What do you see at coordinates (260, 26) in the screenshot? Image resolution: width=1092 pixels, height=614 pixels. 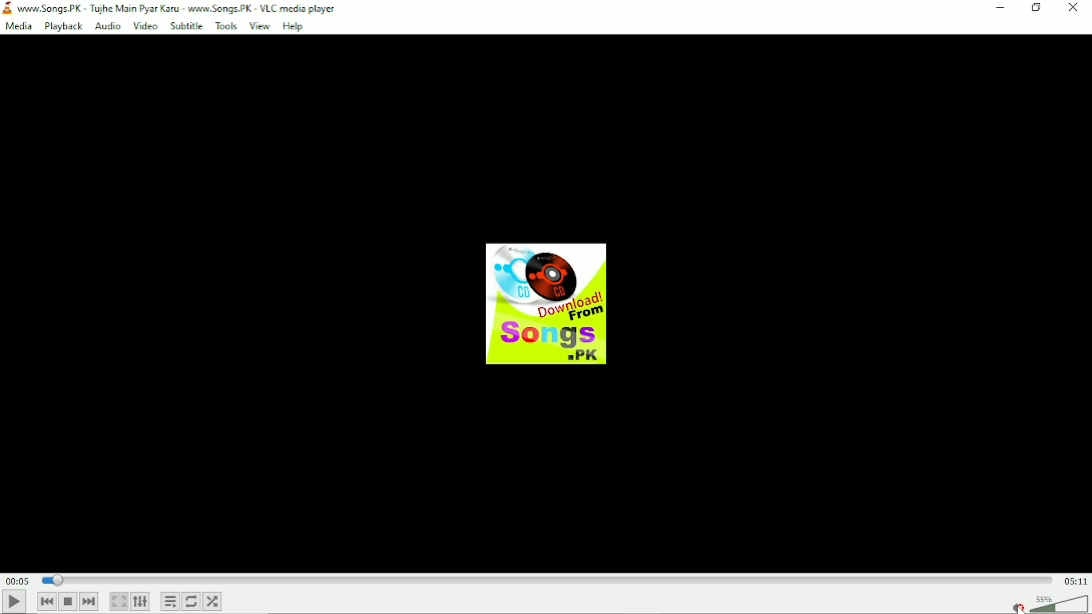 I see `View` at bounding box center [260, 26].